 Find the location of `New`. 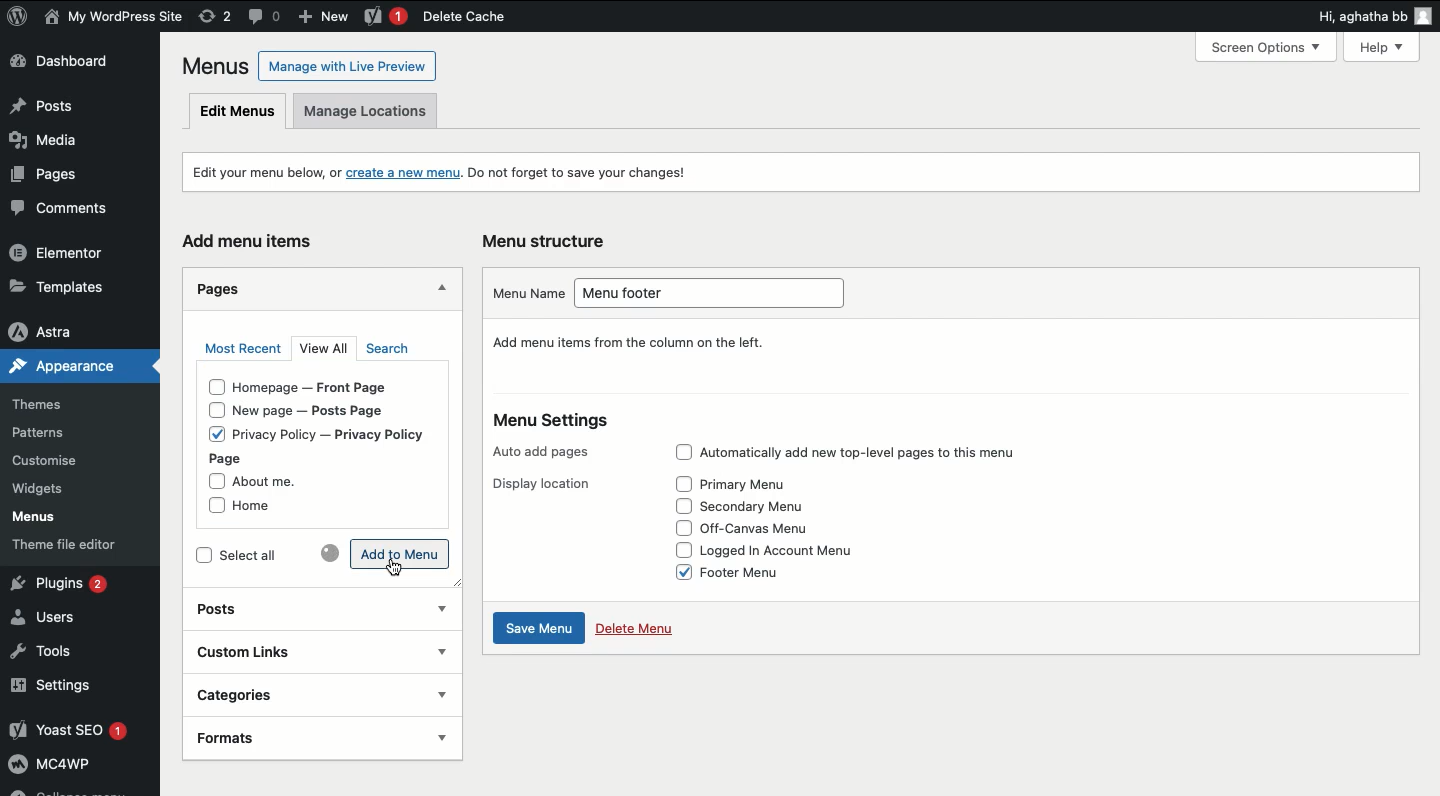

New is located at coordinates (327, 18).